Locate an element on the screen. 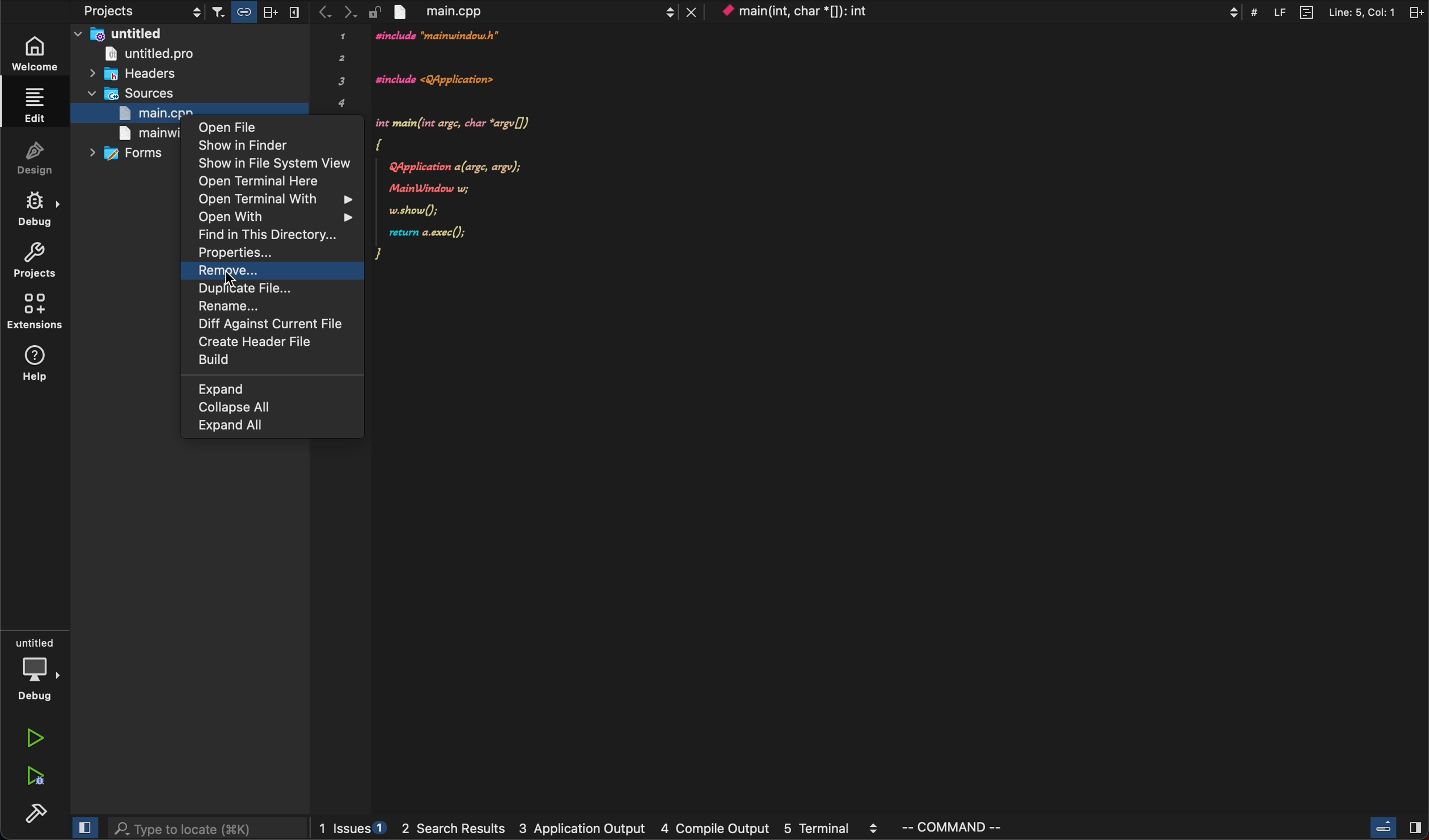  run debug is located at coordinates (33, 778).